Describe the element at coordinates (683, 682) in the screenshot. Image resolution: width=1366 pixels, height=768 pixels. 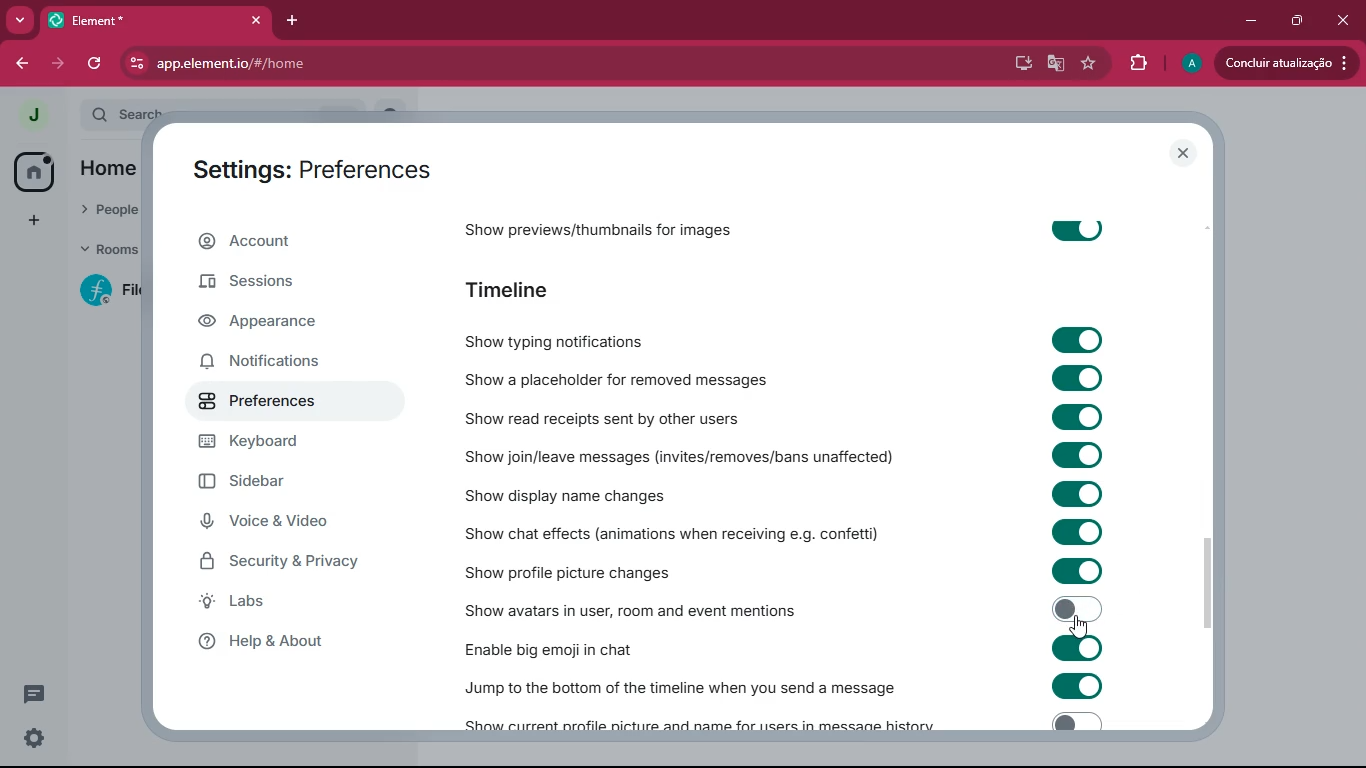
I see `jump to the bottom of the timeline when you send a message` at that location.